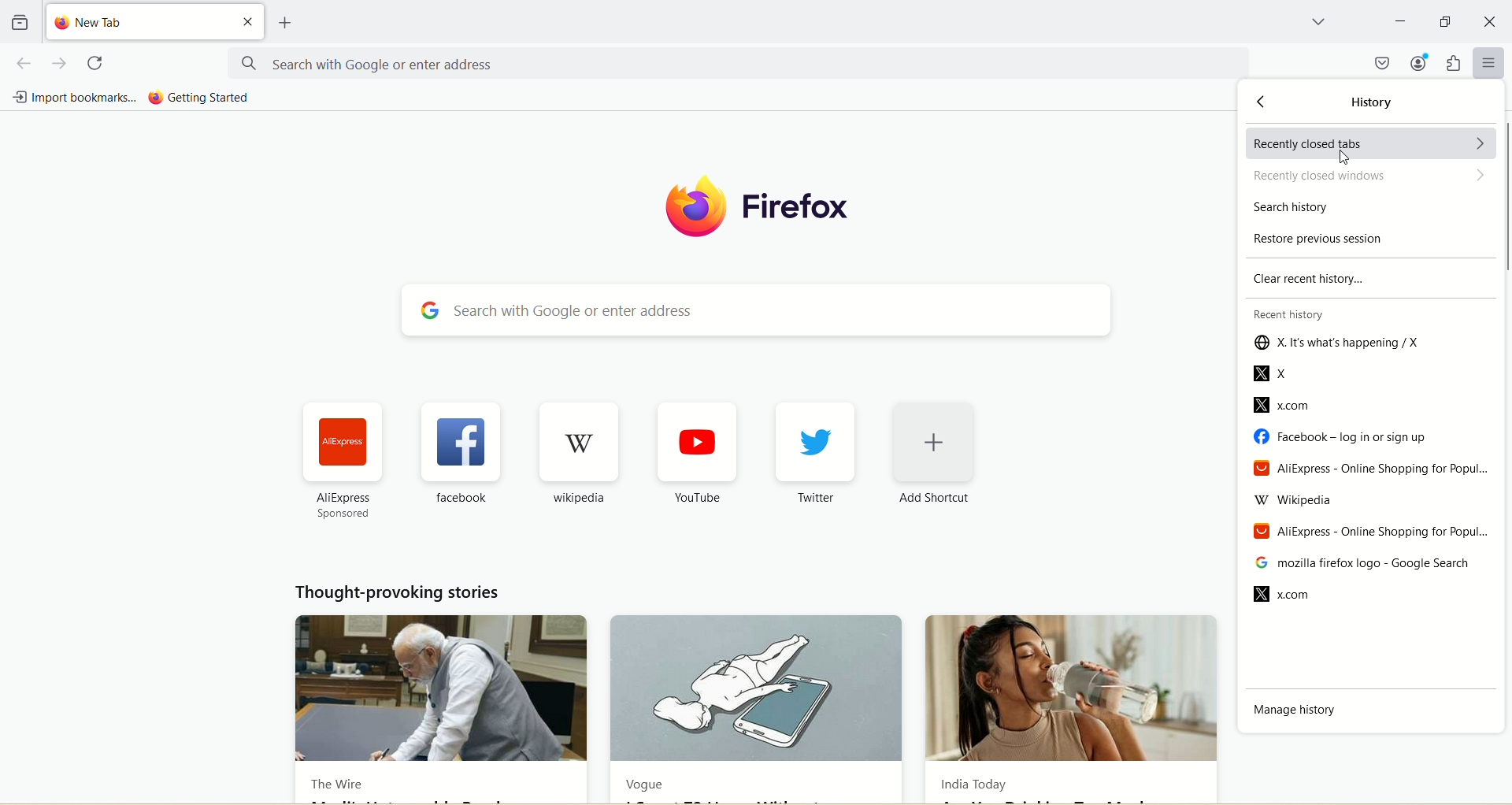 The image size is (1512, 805). I want to click on The Wire news, so click(439, 691).